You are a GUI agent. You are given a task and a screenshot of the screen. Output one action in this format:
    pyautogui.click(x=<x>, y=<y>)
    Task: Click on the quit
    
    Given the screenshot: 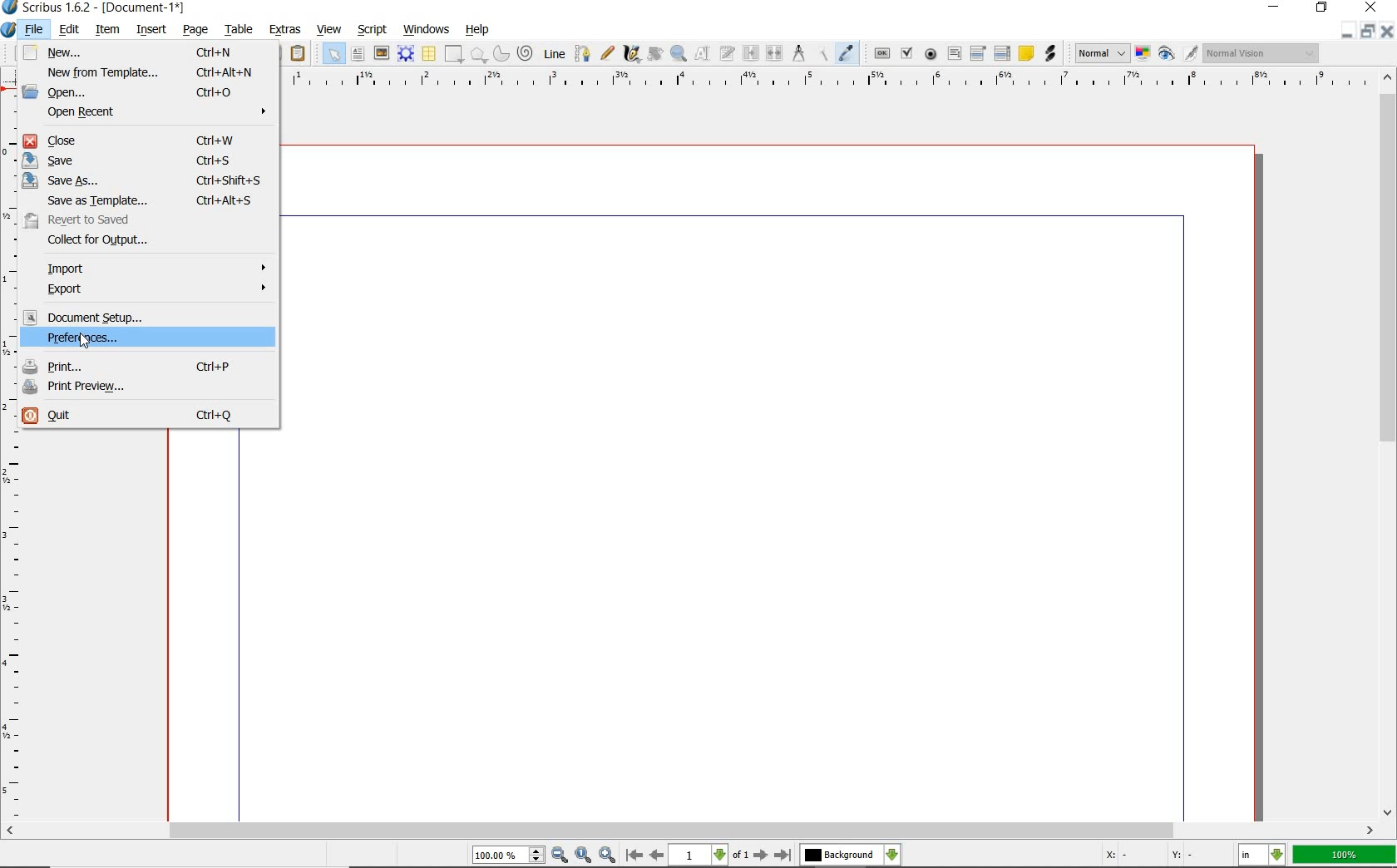 What is the action you would take?
    pyautogui.click(x=147, y=417)
    